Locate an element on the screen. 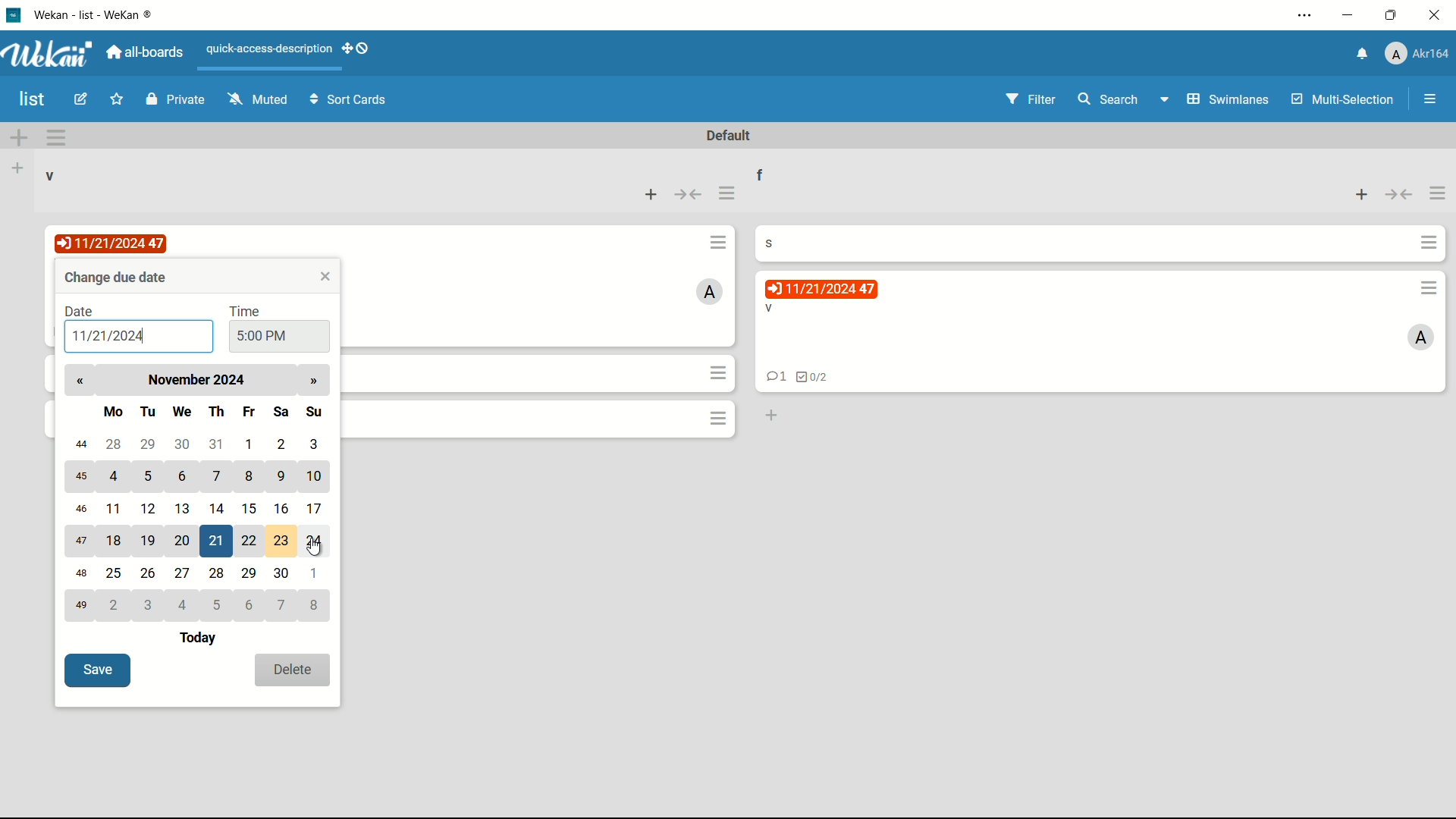 The image size is (1456, 819). list name is located at coordinates (770, 173).